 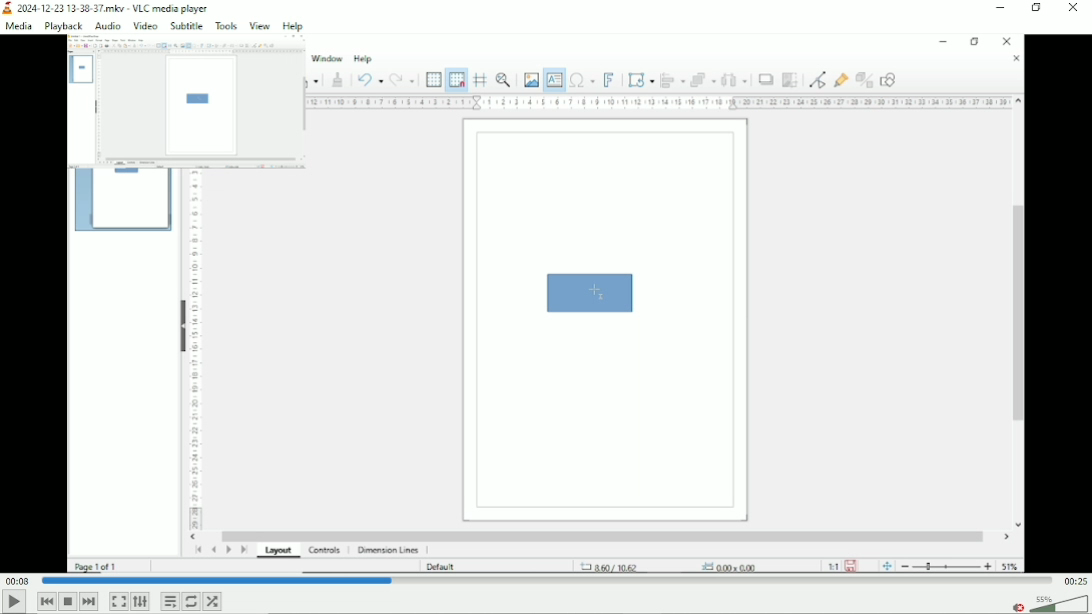 I want to click on Screenshot captured, so click(x=201, y=103).